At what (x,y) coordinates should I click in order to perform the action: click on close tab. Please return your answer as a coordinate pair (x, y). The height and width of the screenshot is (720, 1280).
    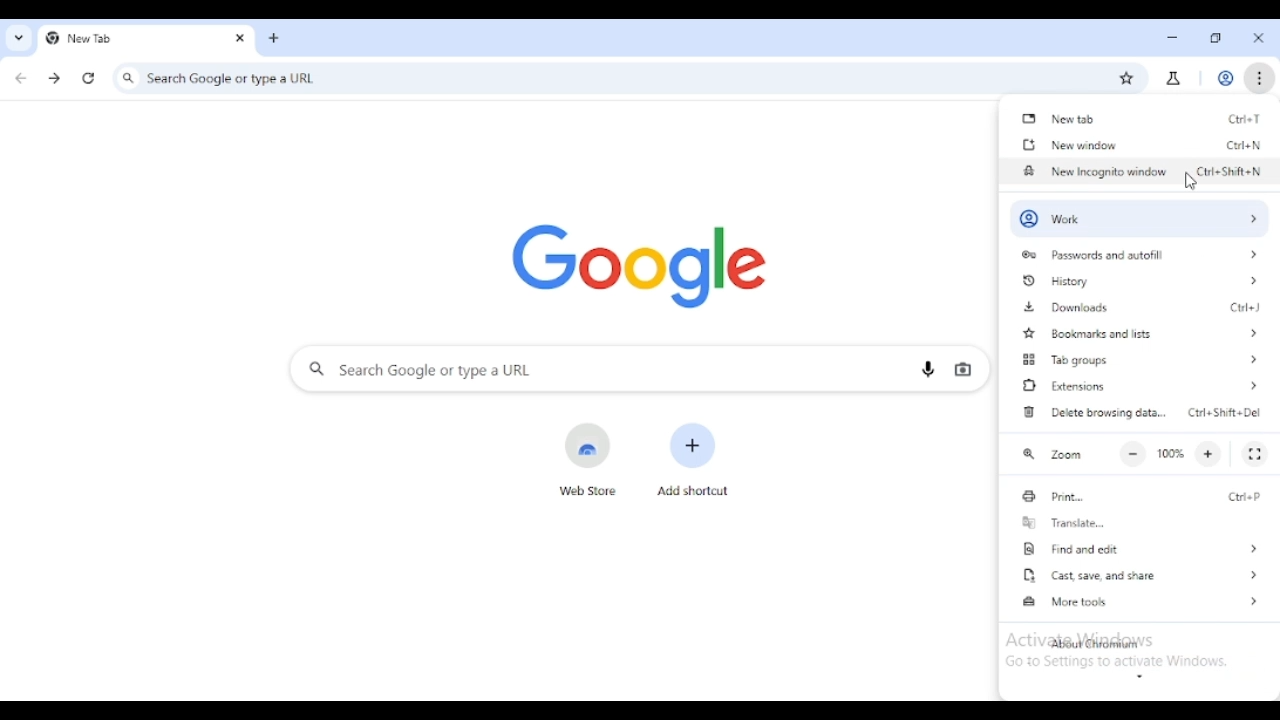
    Looking at the image, I should click on (240, 37).